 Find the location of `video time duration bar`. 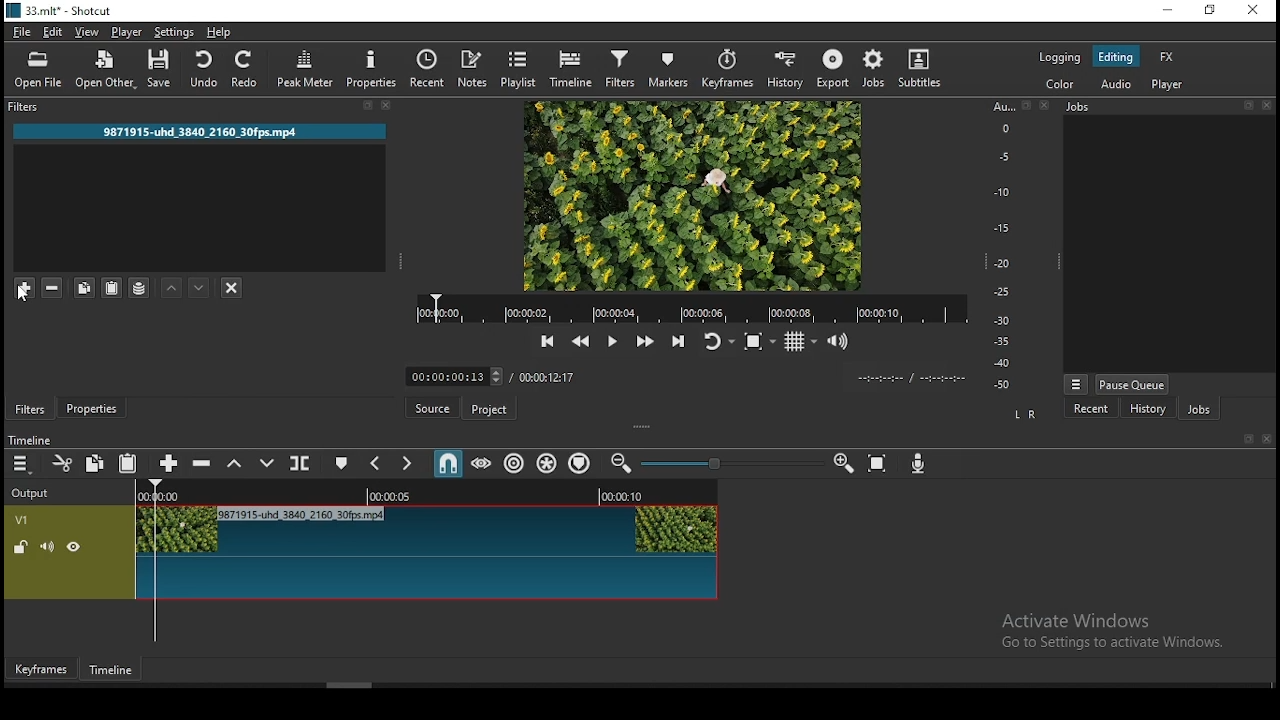

video time duration bar is located at coordinates (427, 492).